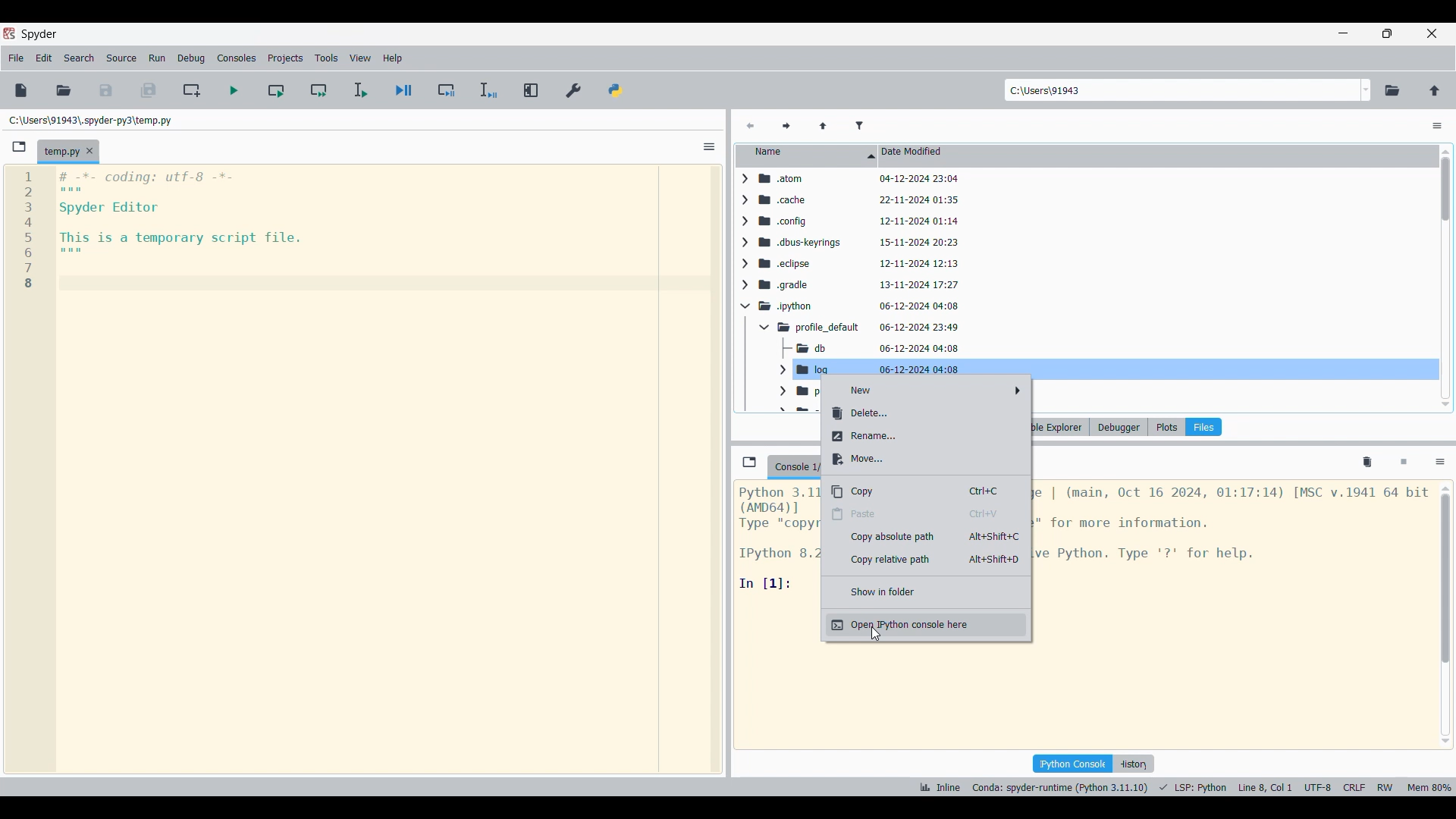 Image resolution: width=1456 pixels, height=819 pixels. Describe the element at coordinates (926, 491) in the screenshot. I see `Copy` at that location.